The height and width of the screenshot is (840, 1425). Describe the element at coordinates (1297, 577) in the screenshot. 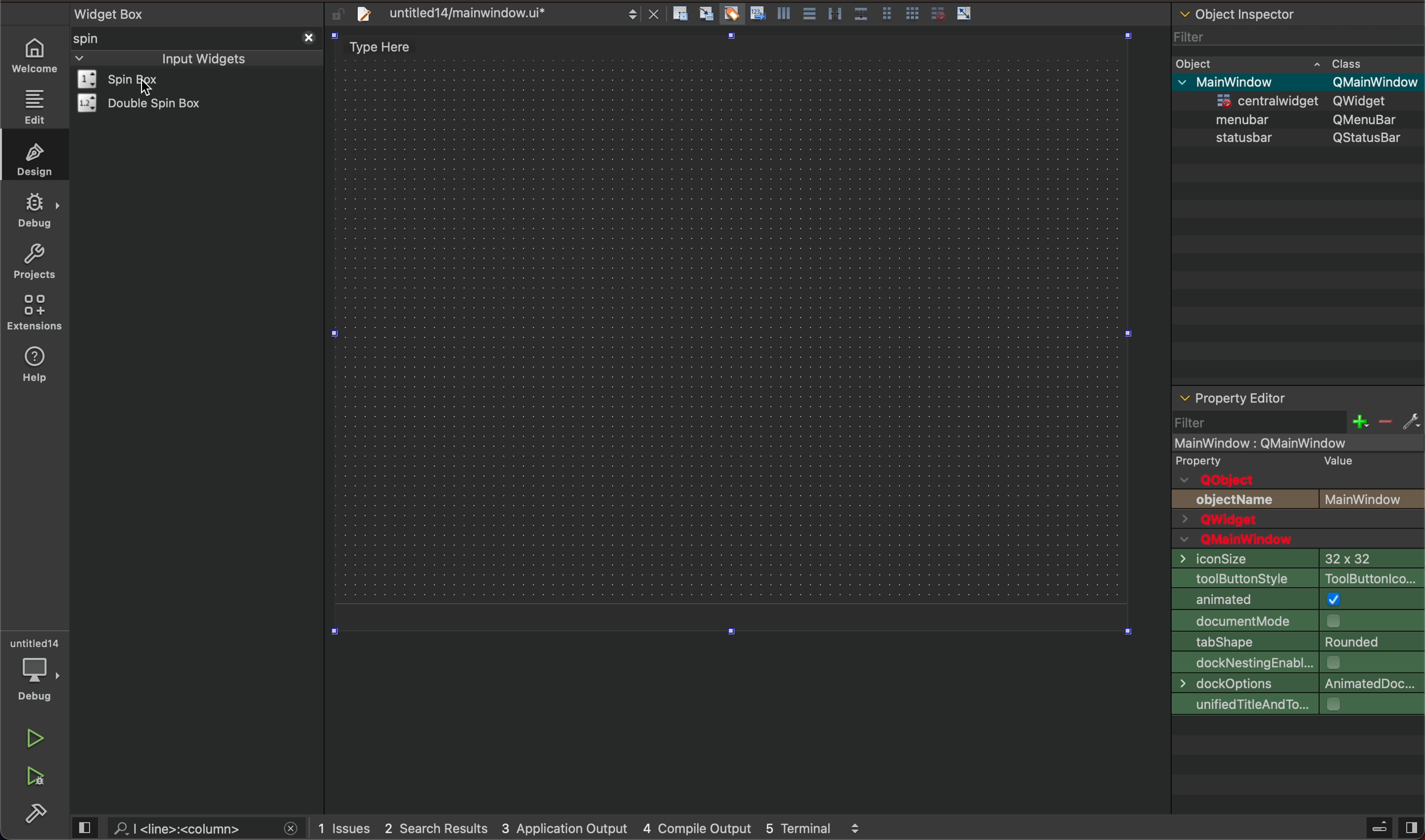

I see `toolbutton style` at that location.